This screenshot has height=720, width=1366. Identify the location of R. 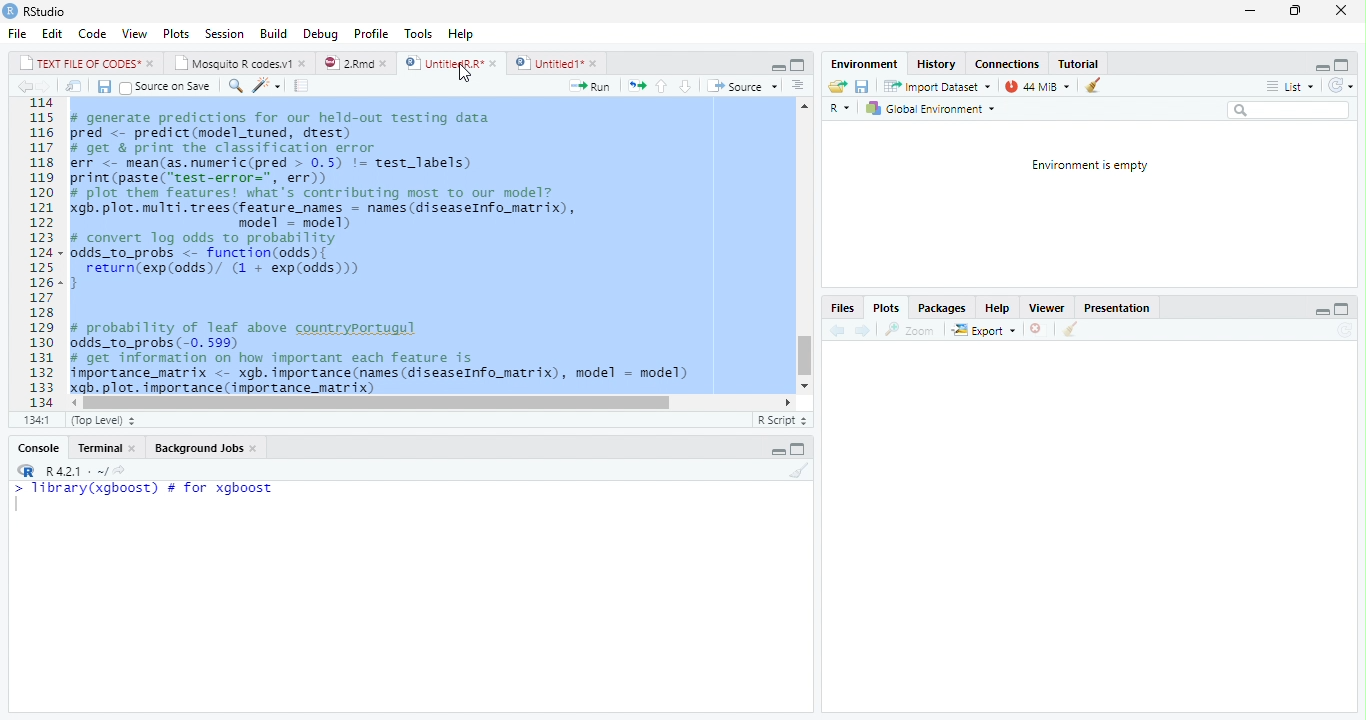
(24, 470).